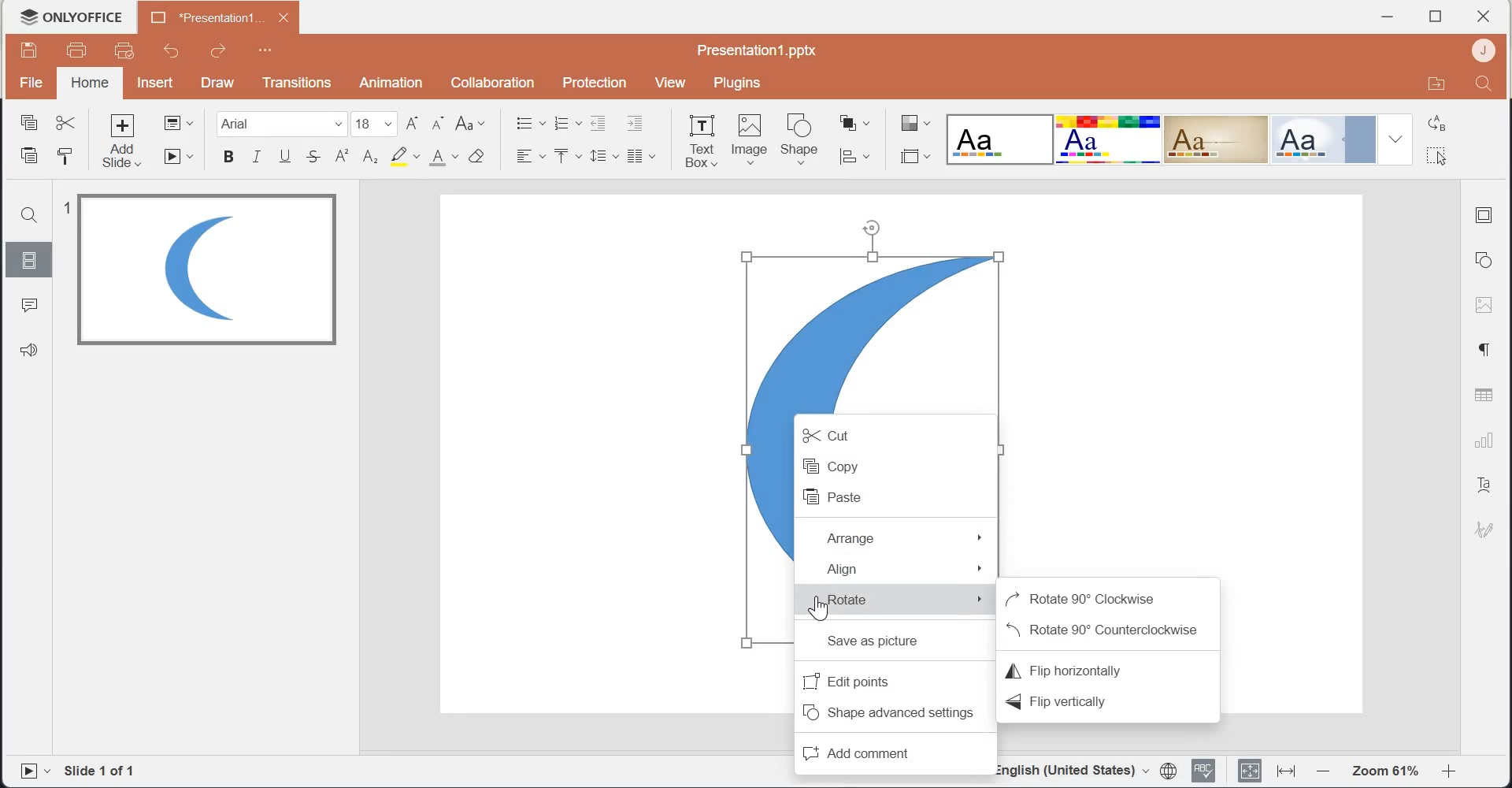  I want to click on Search, so click(31, 214).